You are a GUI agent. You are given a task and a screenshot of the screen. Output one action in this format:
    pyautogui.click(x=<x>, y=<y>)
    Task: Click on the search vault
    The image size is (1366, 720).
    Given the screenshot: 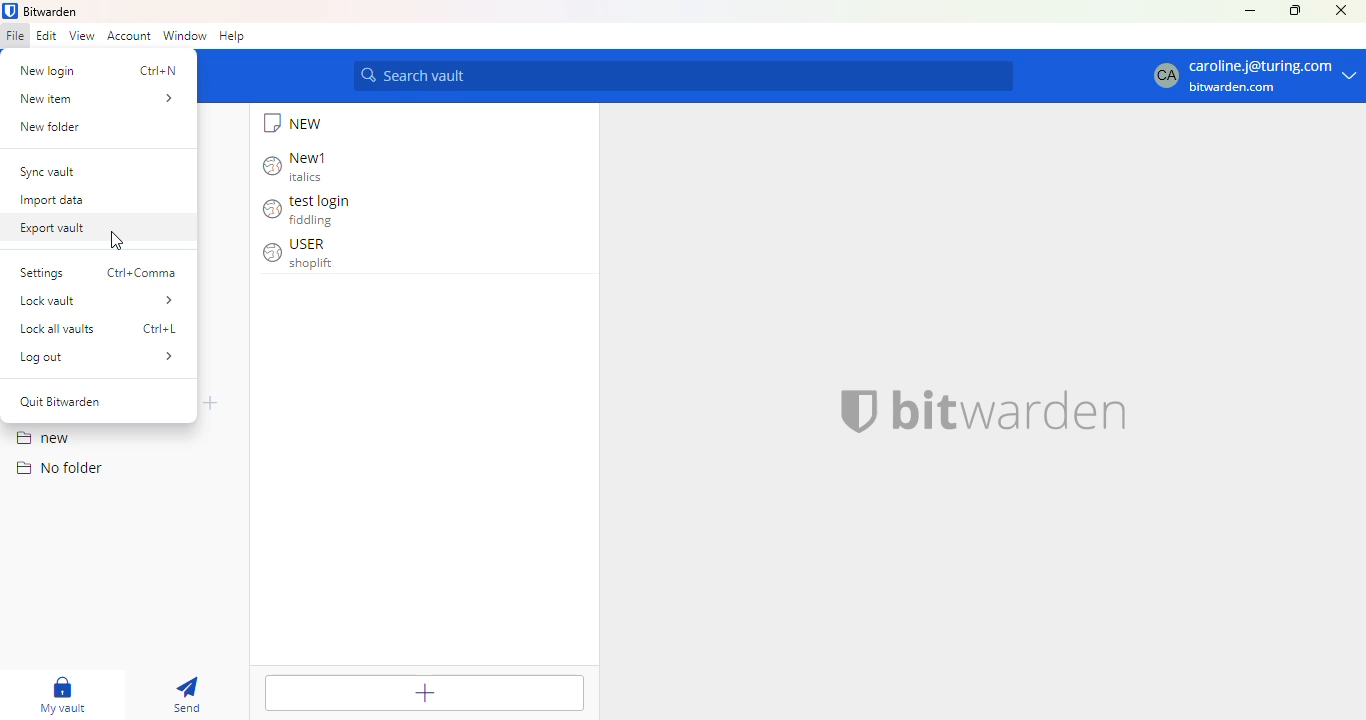 What is the action you would take?
    pyautogui.click(x=684, y=76)
    